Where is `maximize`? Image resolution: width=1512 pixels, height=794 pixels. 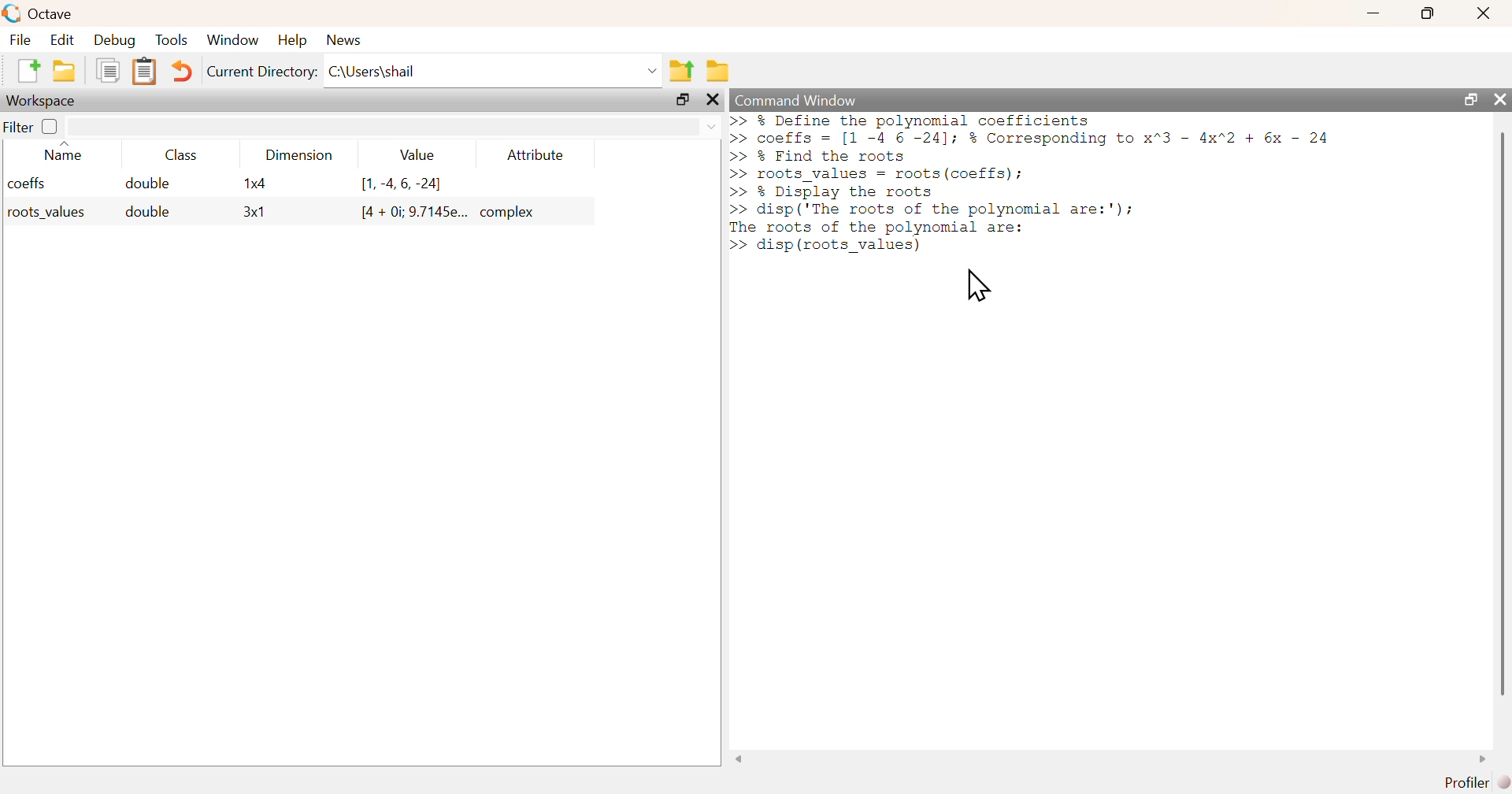 maximize is located at coordinates (1429, 13).